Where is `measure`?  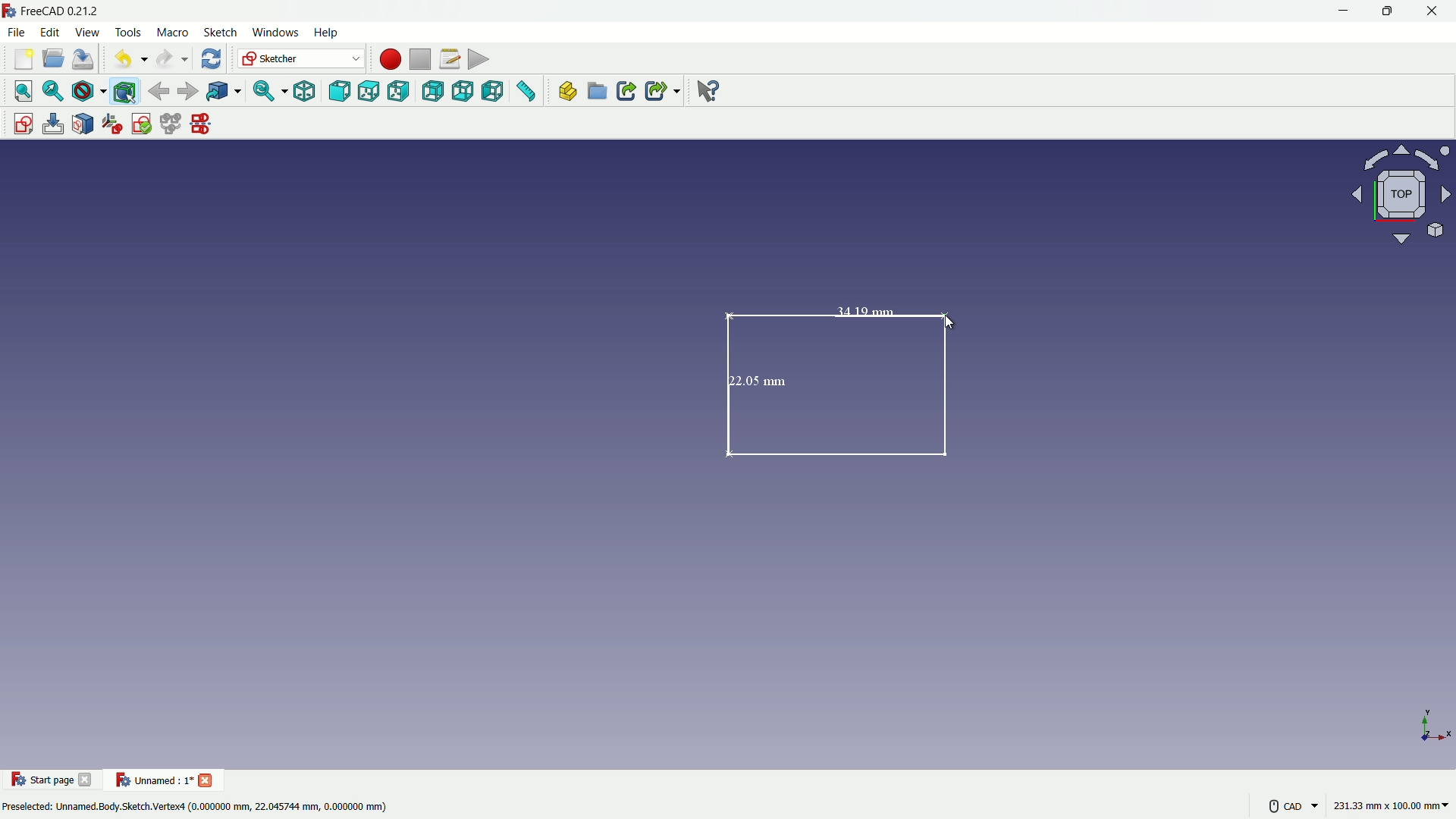 measure is located at coordinates (528, 93).